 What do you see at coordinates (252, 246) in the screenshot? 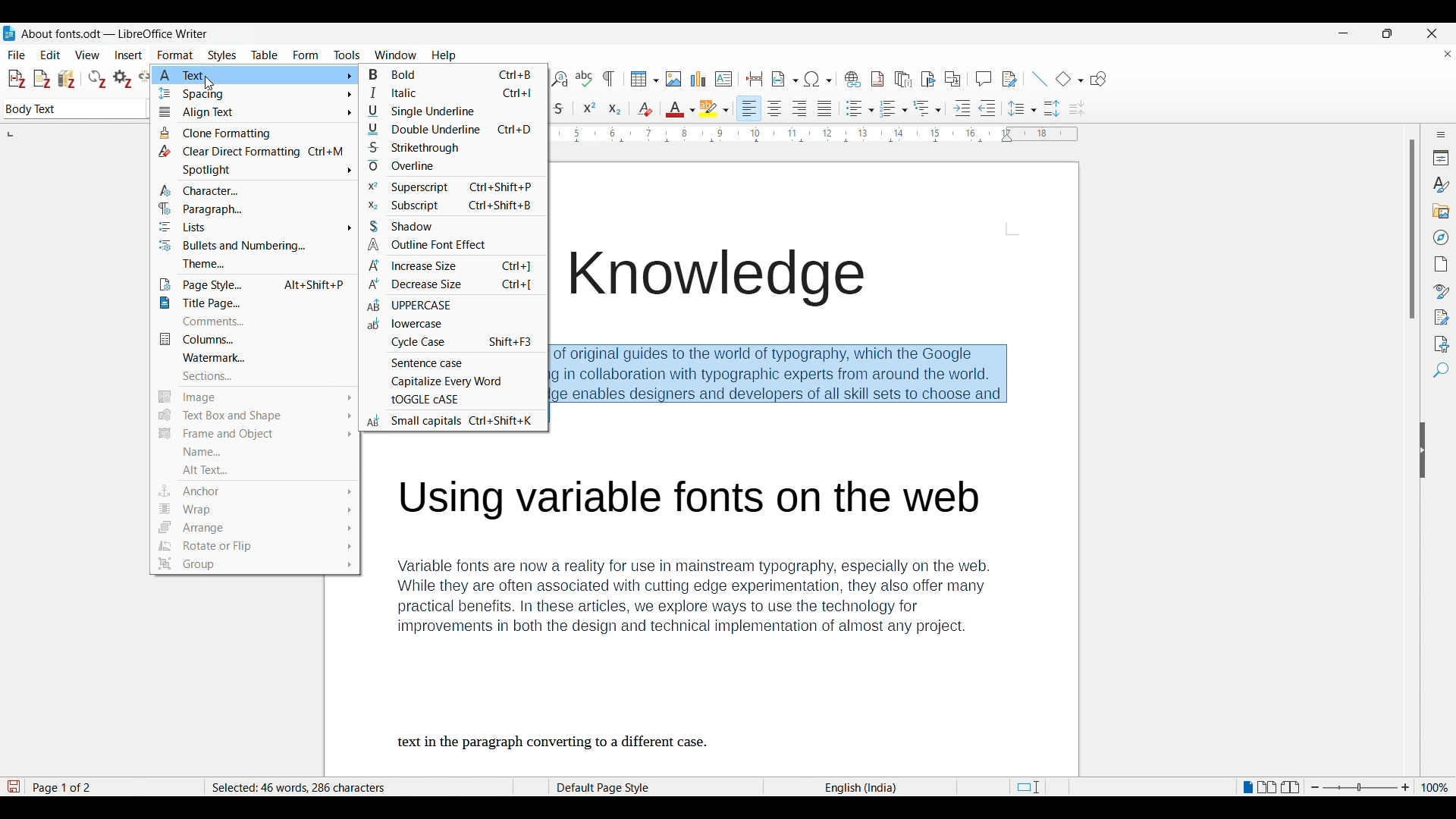
I see `bullets and numbering` at bounding box center [252, 246].